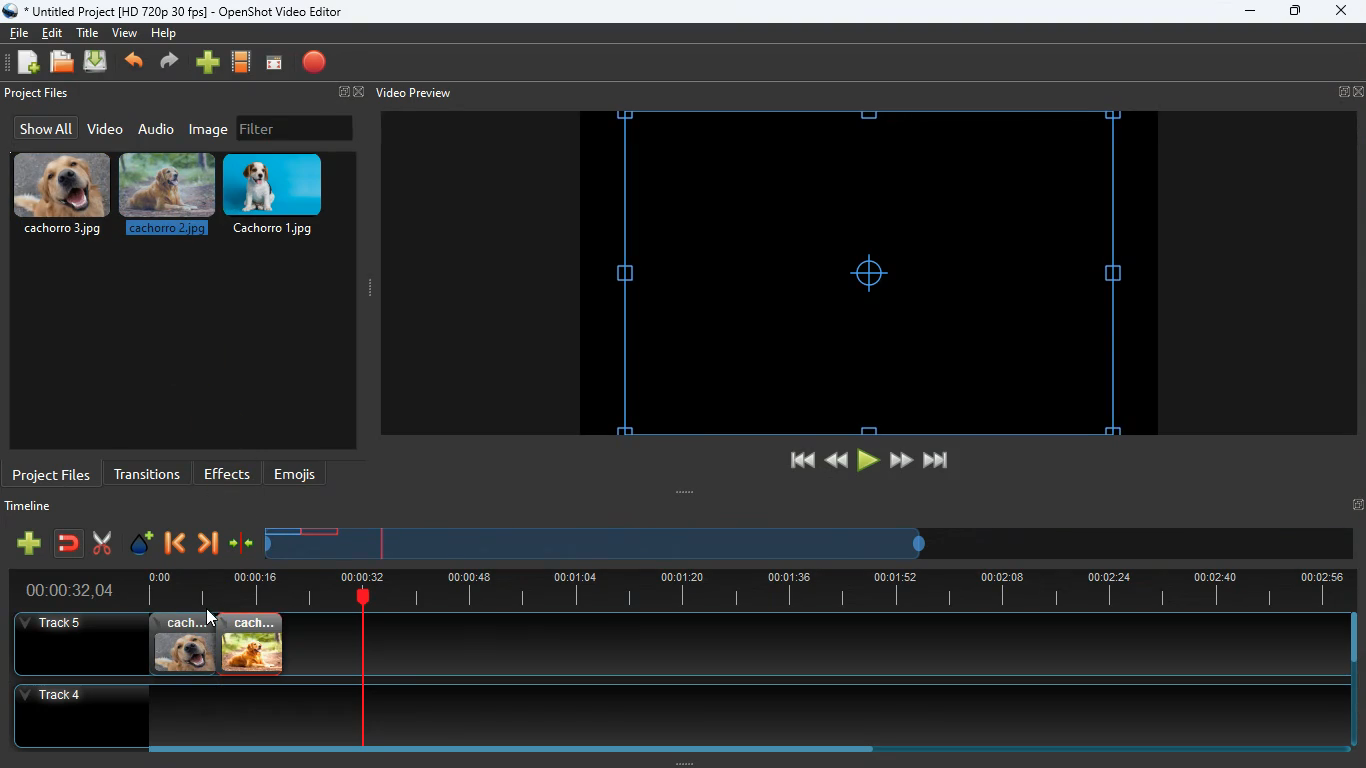  Describe the element at coordinates (147, 472) in the screenshot. I see `transitions` at that location.